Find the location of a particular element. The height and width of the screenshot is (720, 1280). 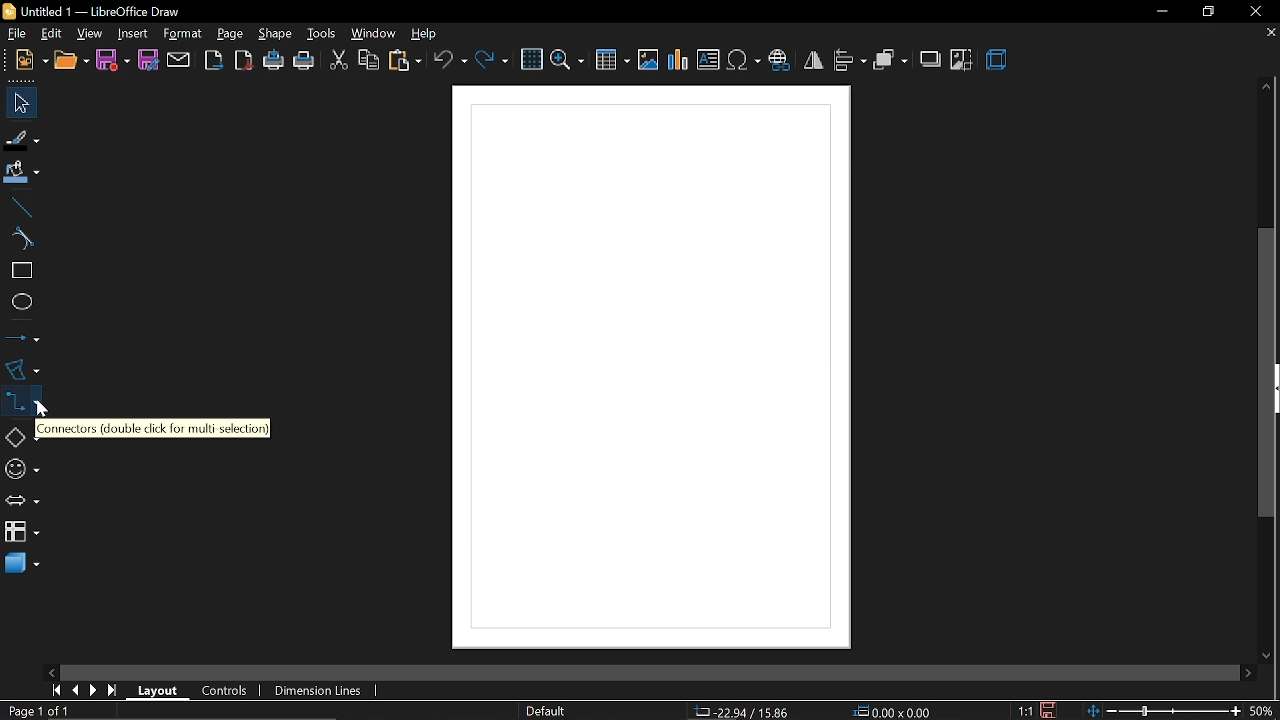

3d shapes is located at coordinates (21, 566).